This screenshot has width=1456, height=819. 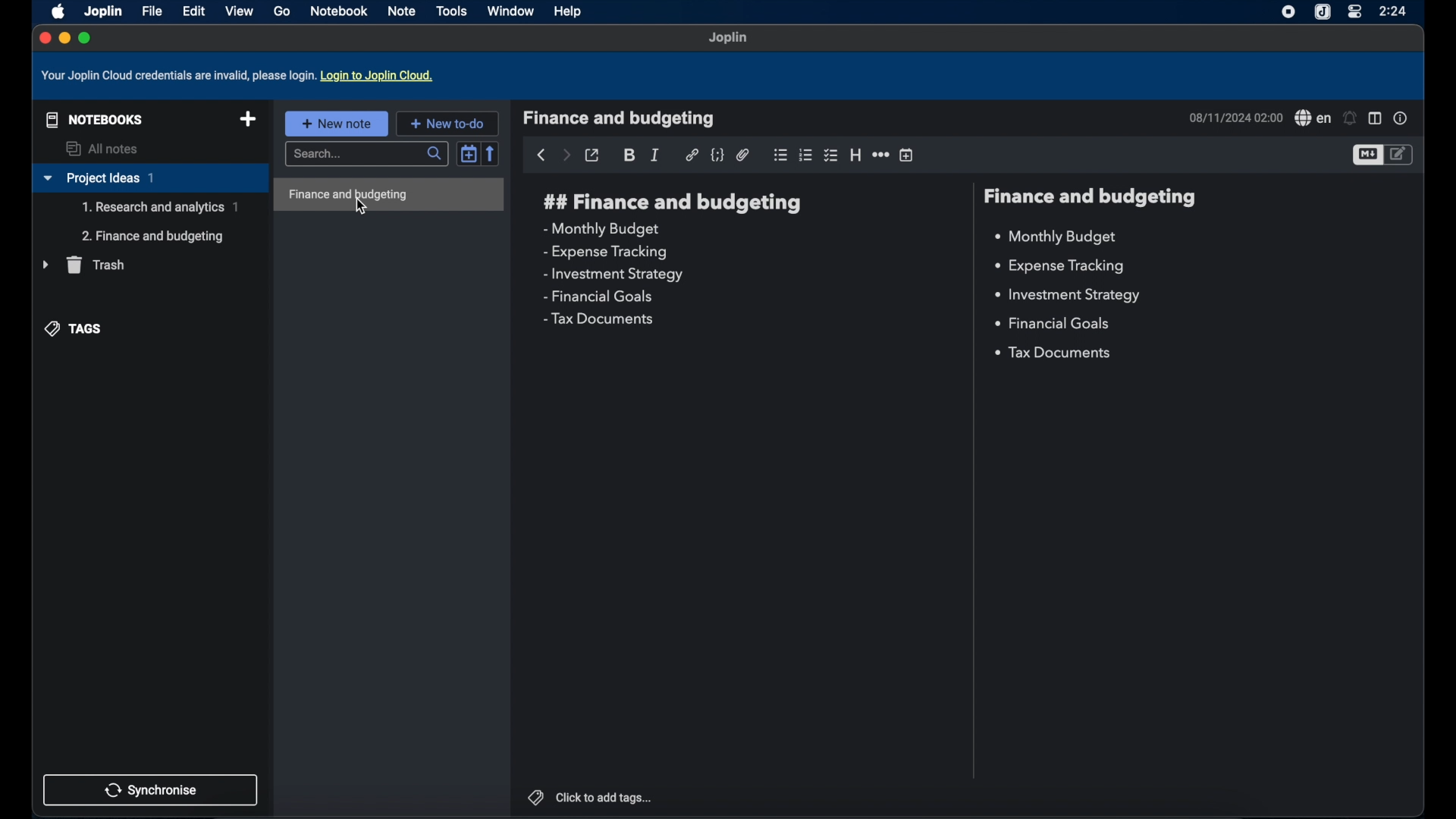 What do you see at coordinates (336, 123) in the screenshot?
I see `new note` at bounding box center [336, 123].